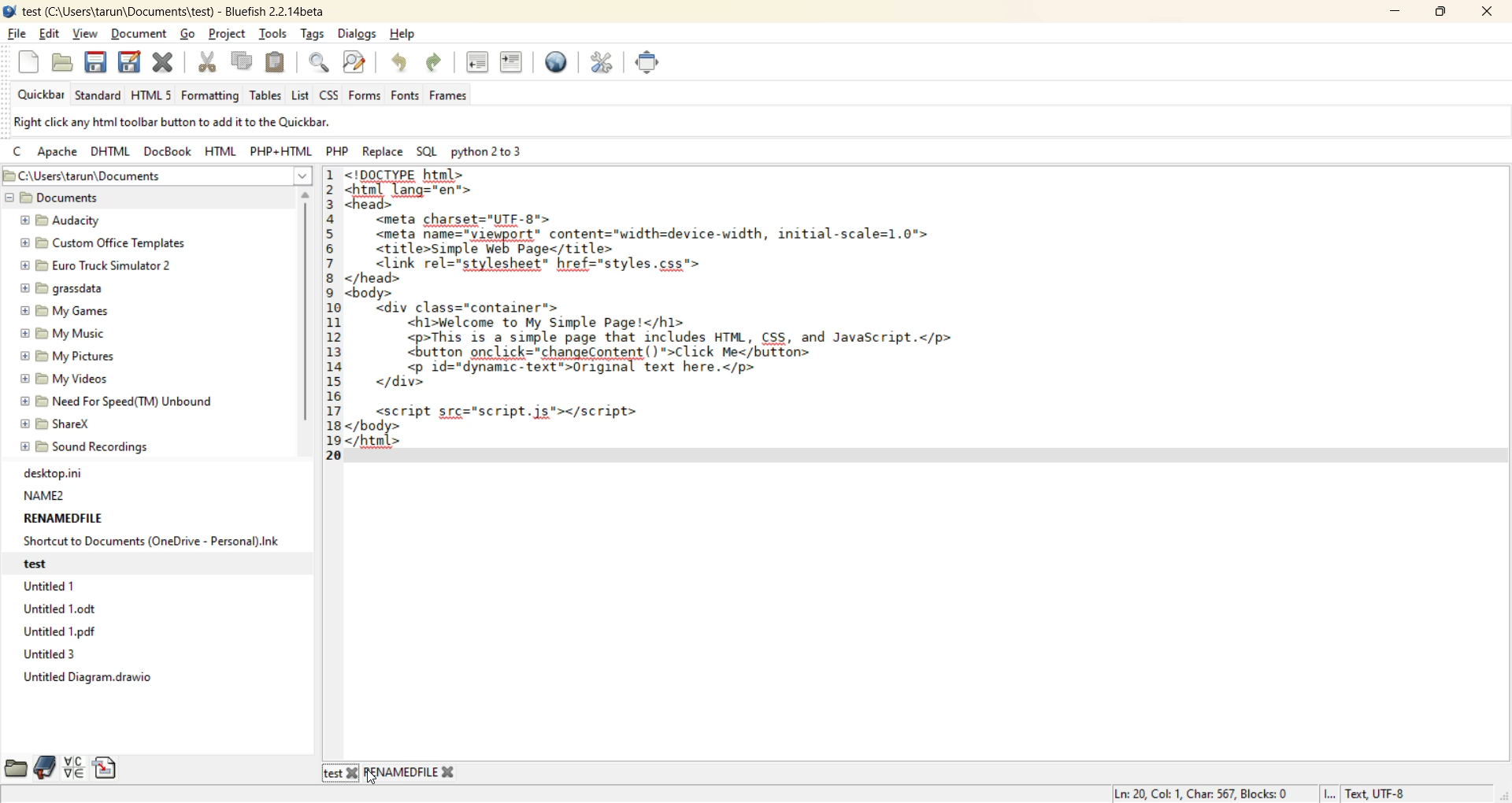  What do you see at coordinates (38, 95) in the screenshot?
I see `quickbar` at bounding box center [38, 95].